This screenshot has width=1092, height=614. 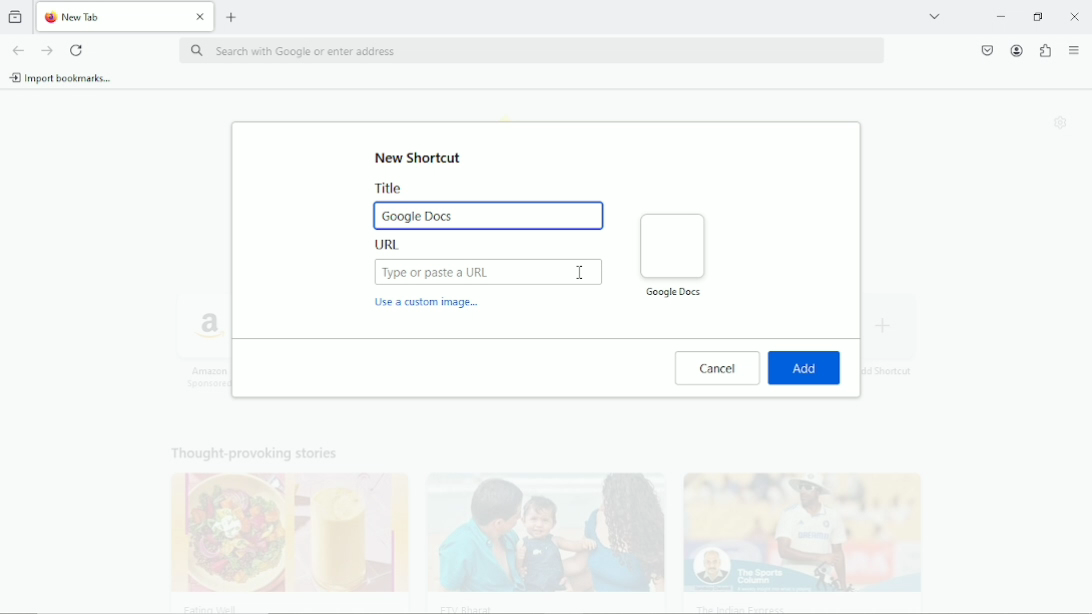 What do you see at coordinates (1075, 16) in the screenshot?
I see `Close` at bounding box center [1075, 16].